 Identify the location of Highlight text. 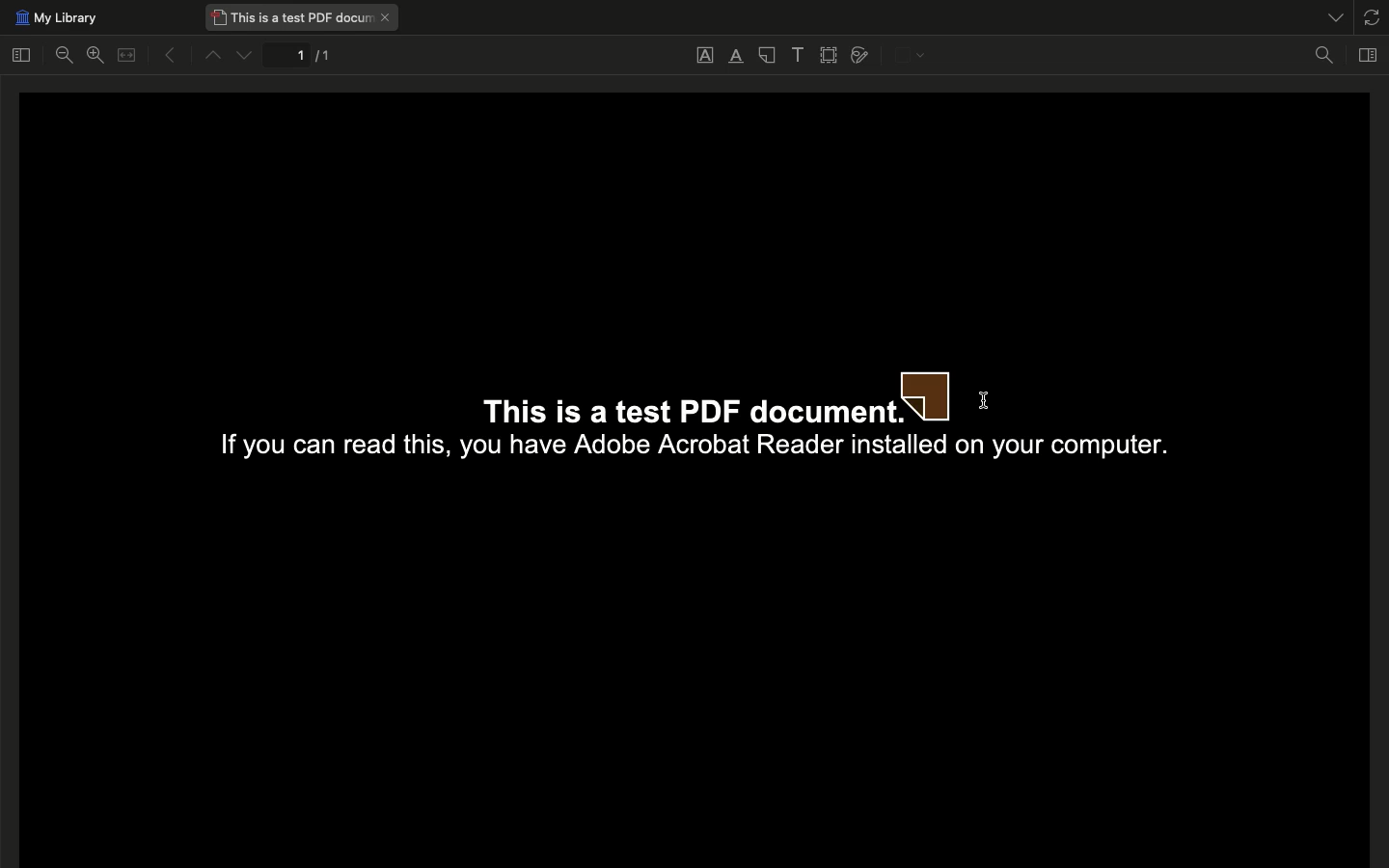
(735, 57).